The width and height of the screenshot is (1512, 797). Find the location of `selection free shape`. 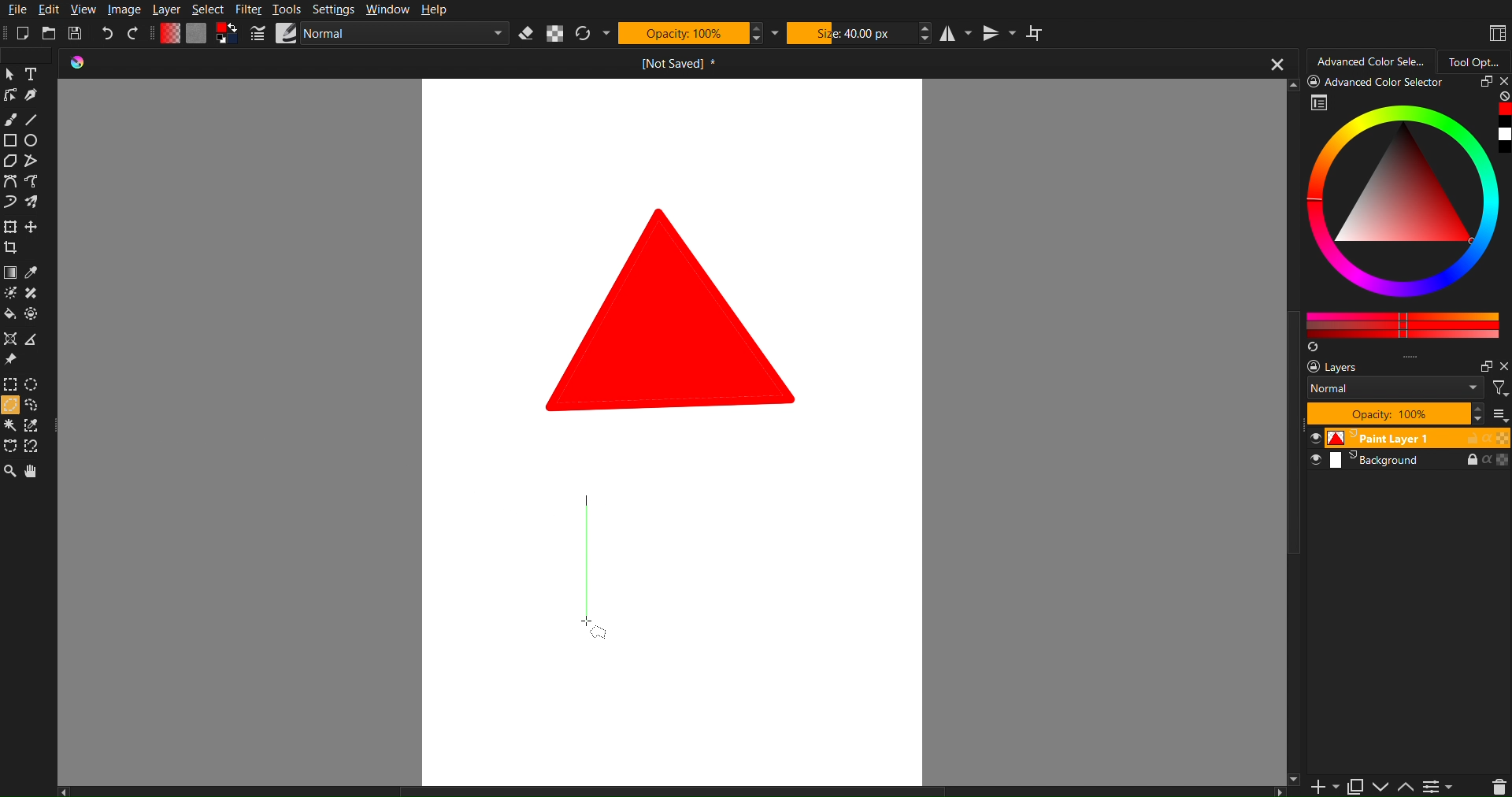

selection free shape is located at coordinates (9, 445).